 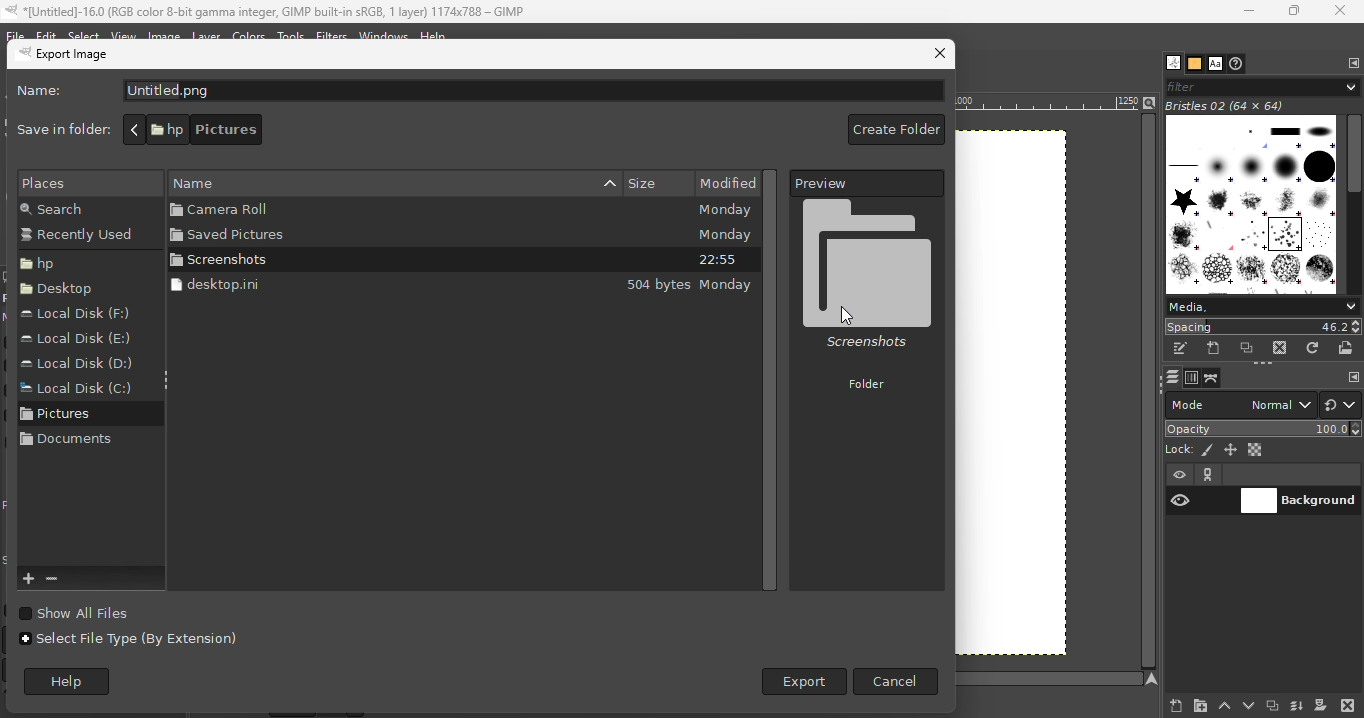 I want to click on Help, so click(x=75, y=683).